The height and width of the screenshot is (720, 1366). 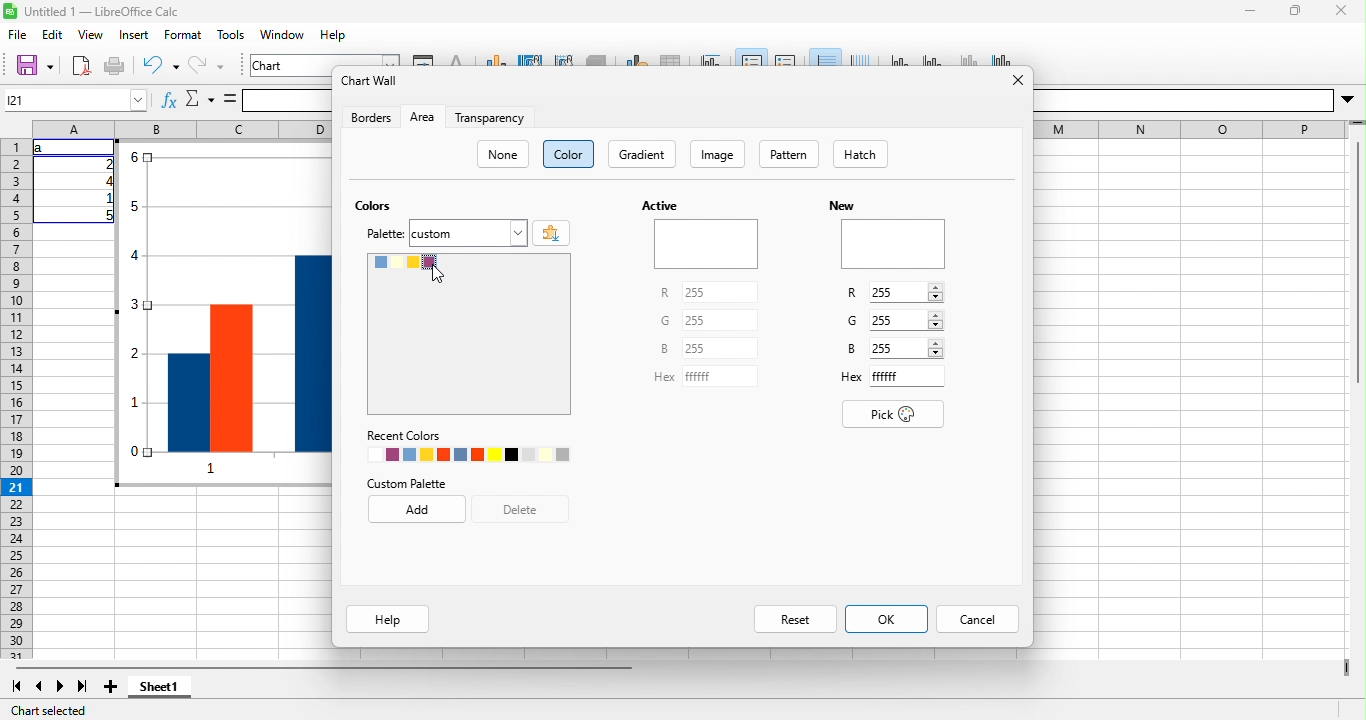 I want to click on Bar chart, so click(x=223, y=313).